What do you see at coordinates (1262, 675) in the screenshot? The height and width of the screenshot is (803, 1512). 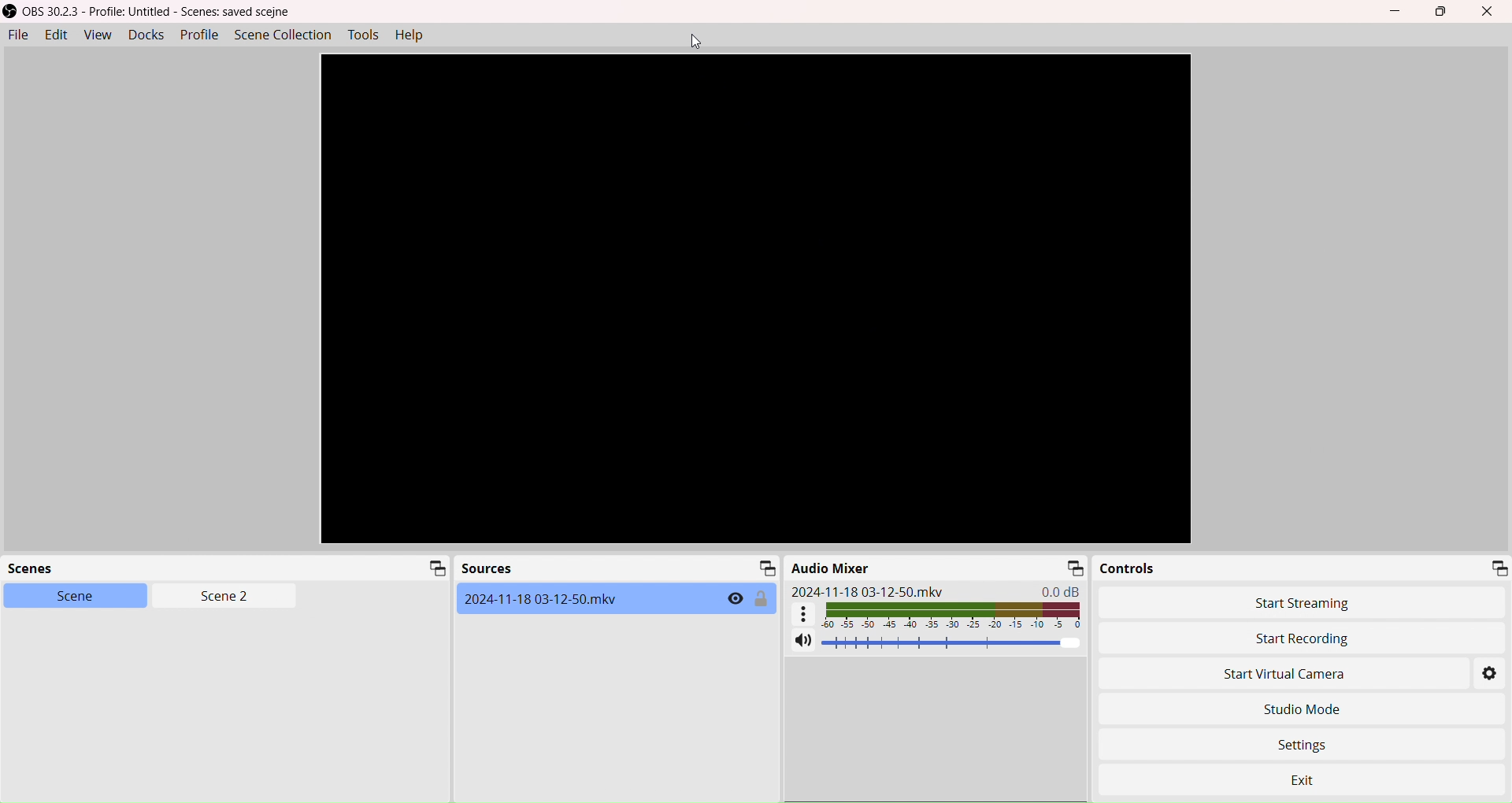 I see `Start Virtual Camera` at bounding box center [1262, 675].